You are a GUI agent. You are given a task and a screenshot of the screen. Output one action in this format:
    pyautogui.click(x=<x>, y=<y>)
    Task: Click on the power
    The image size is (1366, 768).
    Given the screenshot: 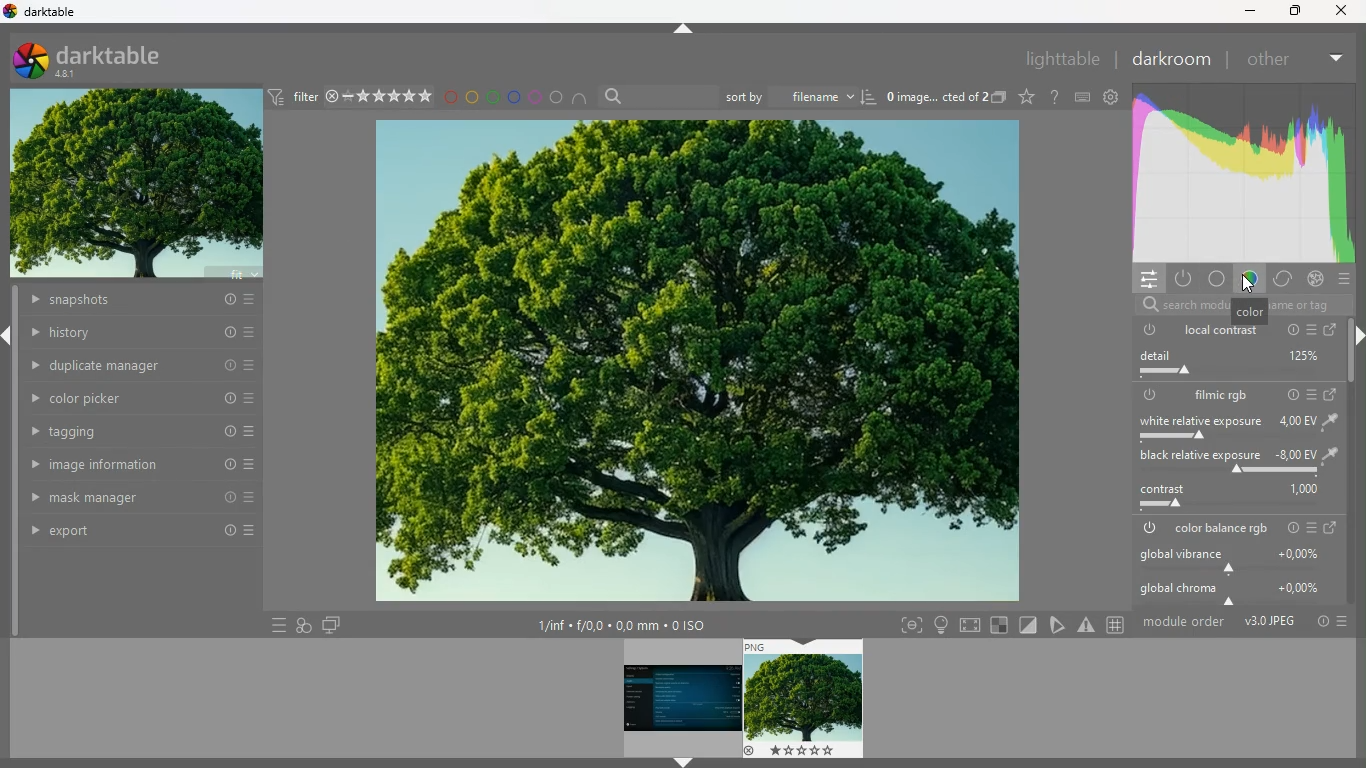 What is the action you would take?
    pyautogui.click(x=1149, y=395)
    